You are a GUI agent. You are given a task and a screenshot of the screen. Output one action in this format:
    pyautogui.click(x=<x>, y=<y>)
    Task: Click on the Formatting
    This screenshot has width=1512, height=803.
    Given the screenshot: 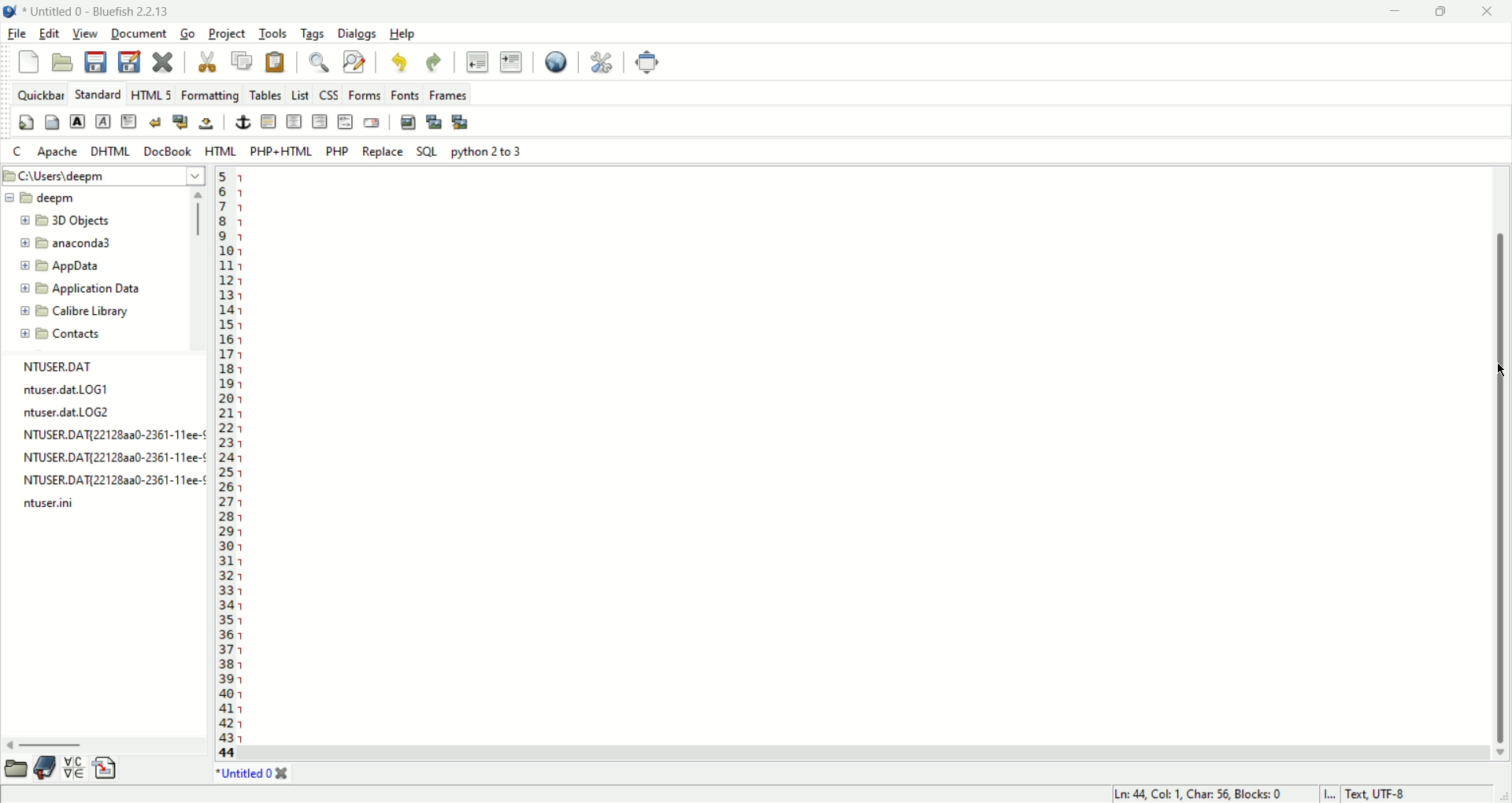 What is the action you would take?
    pyautogui.click(x=209, y=94)
    